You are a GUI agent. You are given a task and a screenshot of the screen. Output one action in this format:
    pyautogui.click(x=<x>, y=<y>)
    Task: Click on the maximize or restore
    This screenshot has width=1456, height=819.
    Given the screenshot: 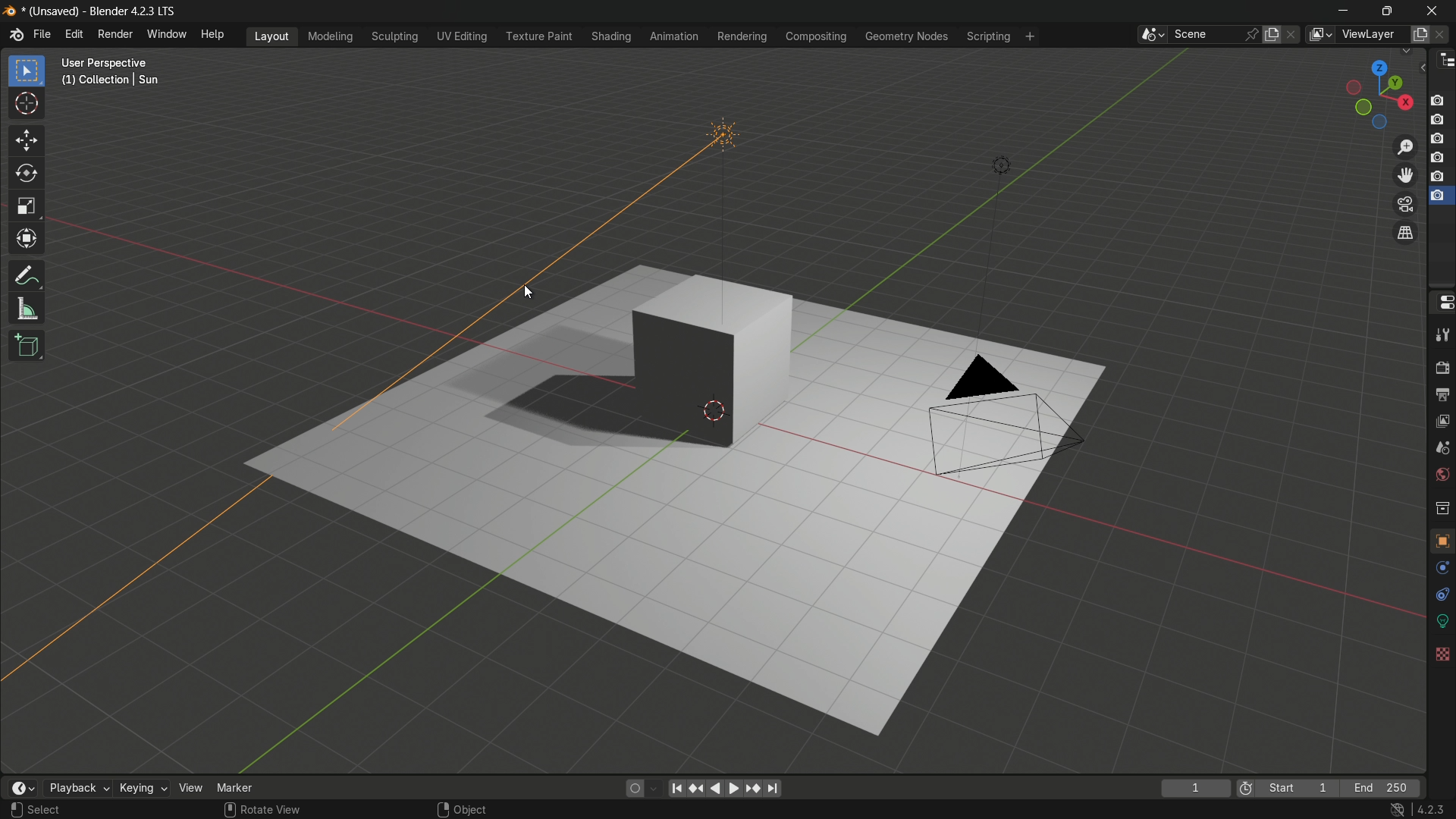 What is the action you would take?
    pyautogui.click(x=1385, y=10)
    